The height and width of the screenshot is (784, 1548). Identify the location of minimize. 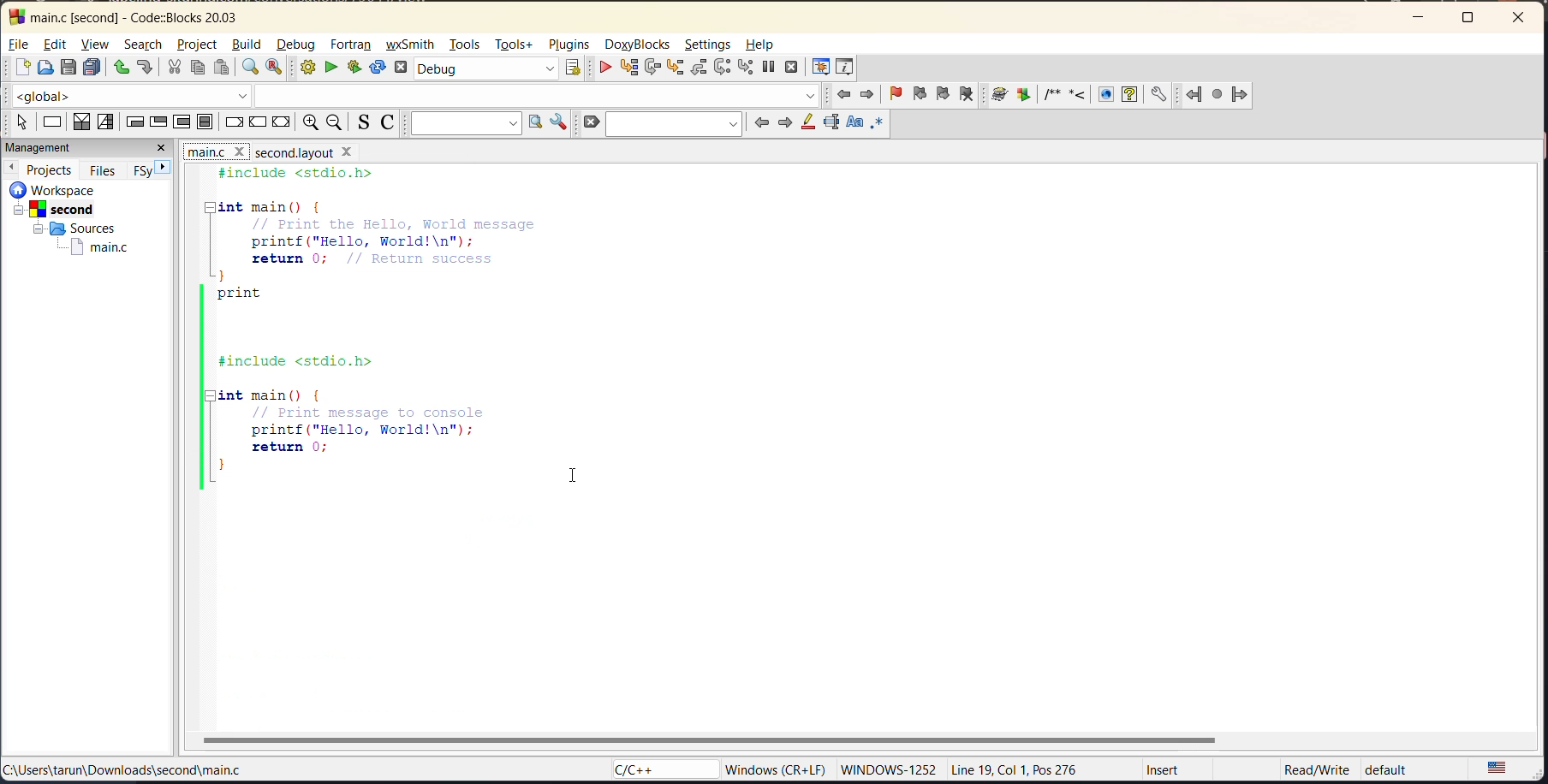
(1421, 19).